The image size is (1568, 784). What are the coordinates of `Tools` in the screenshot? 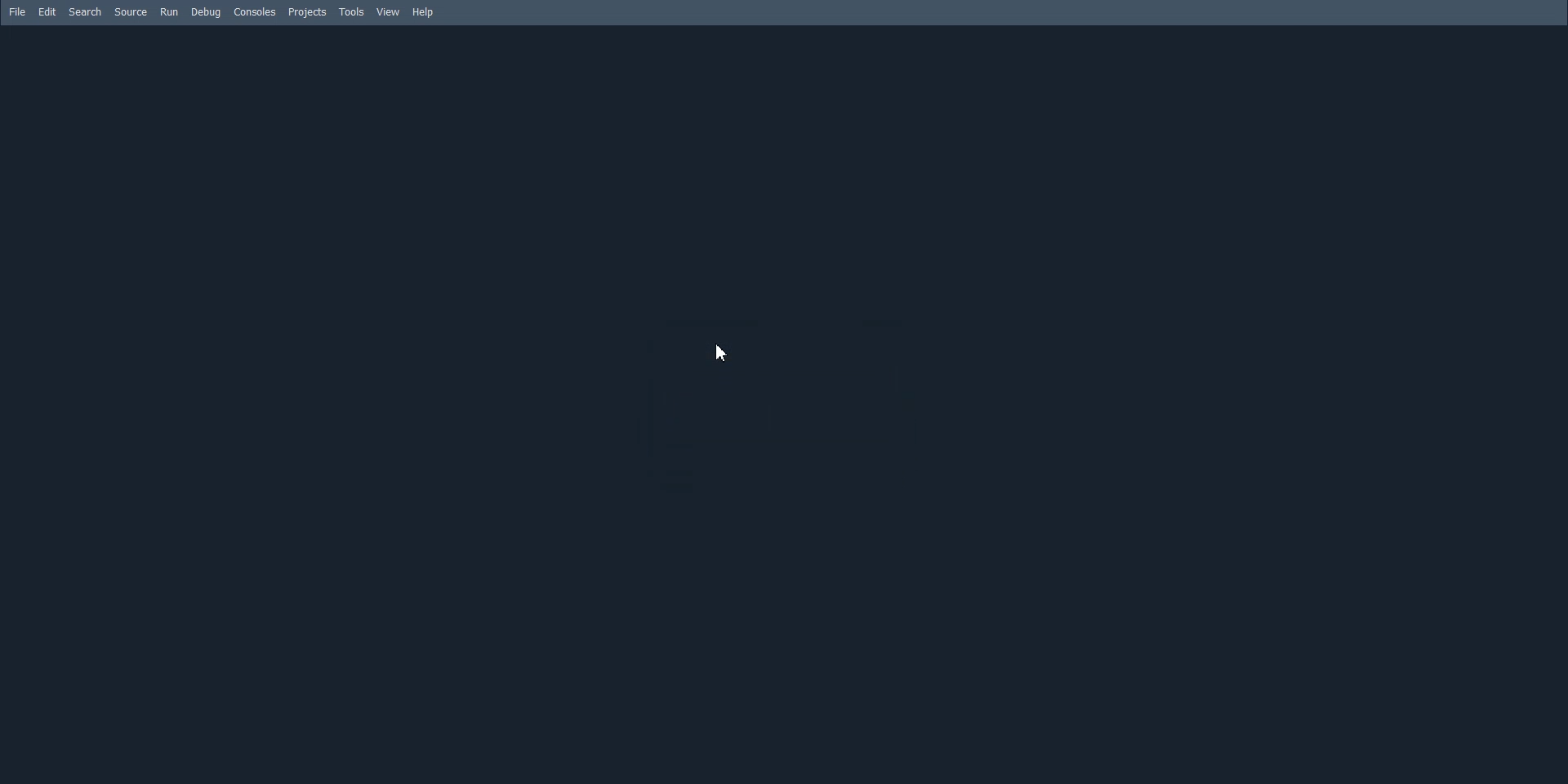 It's located at (353, 12).